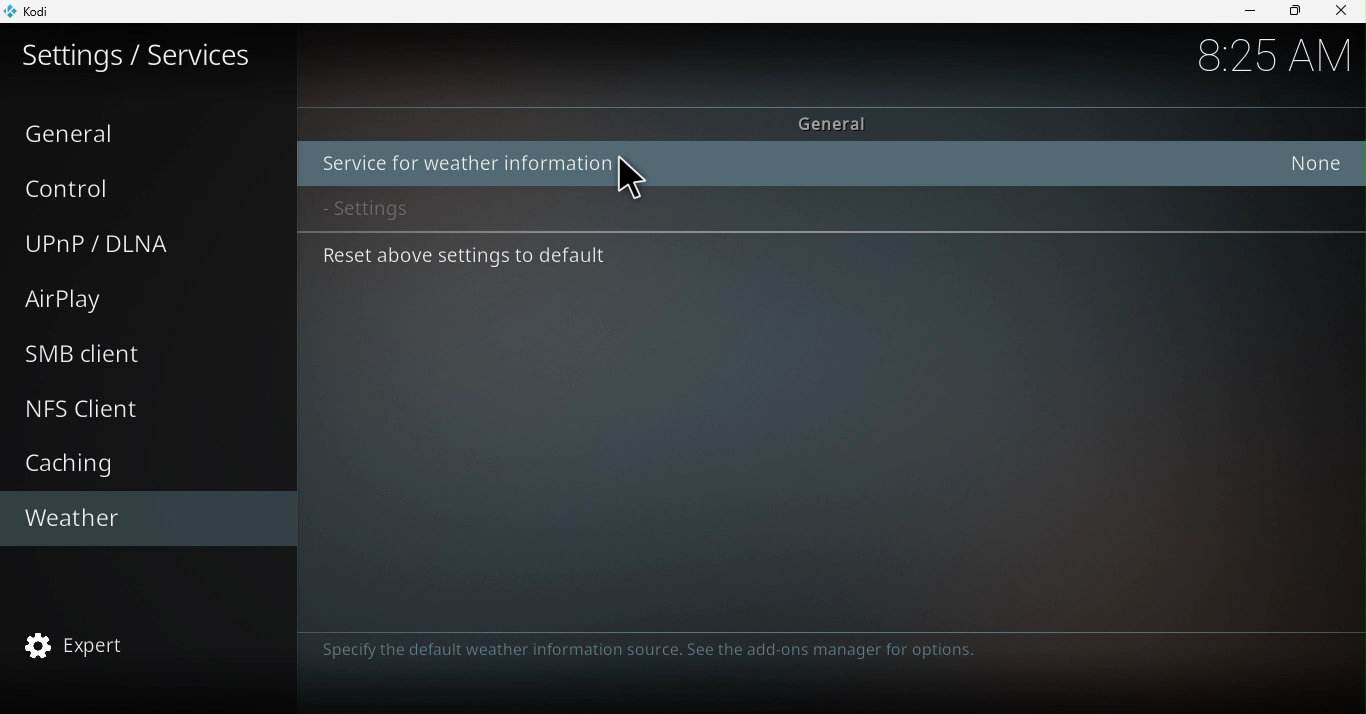 The image size is (1366, 714). Describe the element at coordinates (828, 210) in the screenshot. I see `Settings` at that location.